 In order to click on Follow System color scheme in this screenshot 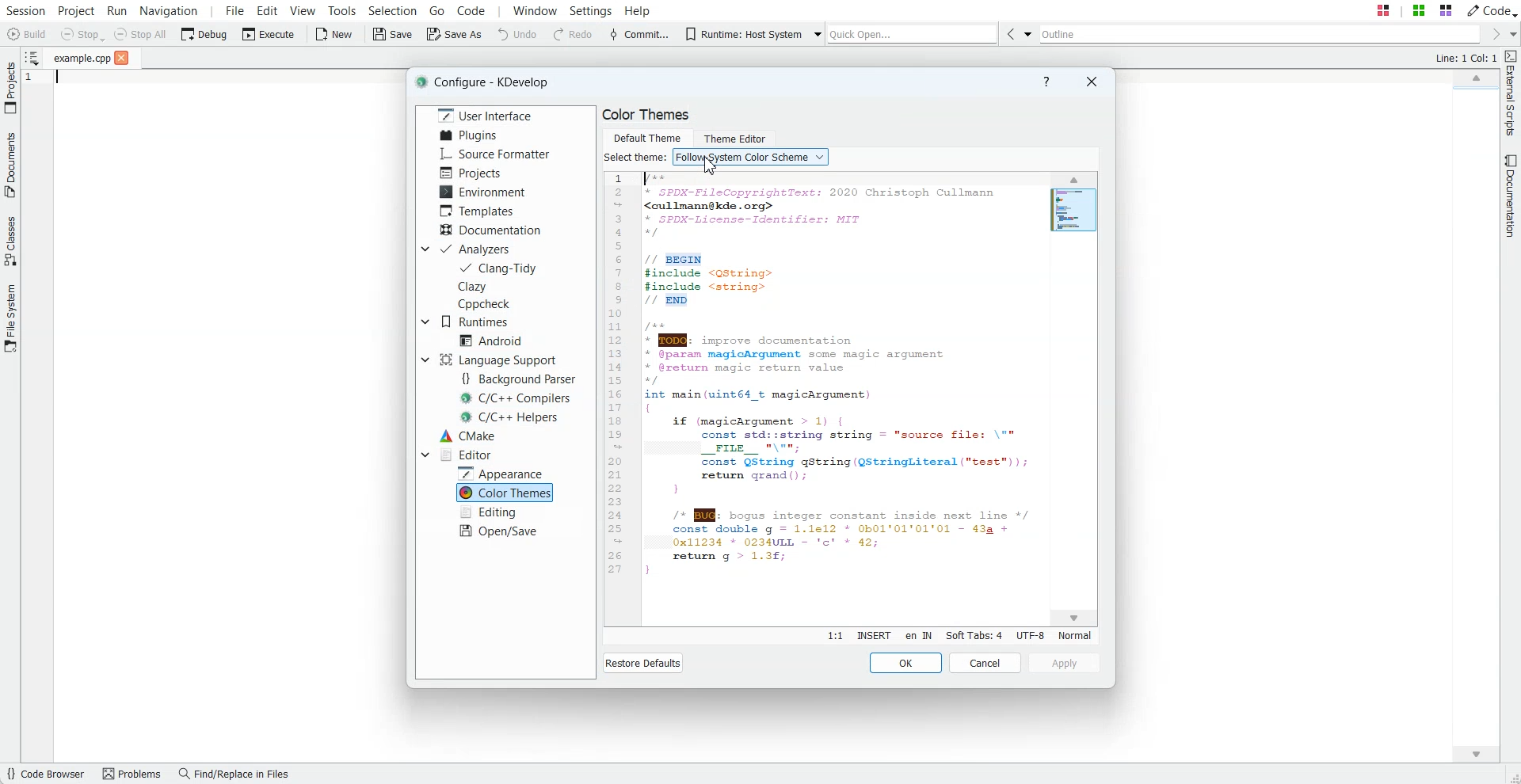, I will do `click(751, 157)`.